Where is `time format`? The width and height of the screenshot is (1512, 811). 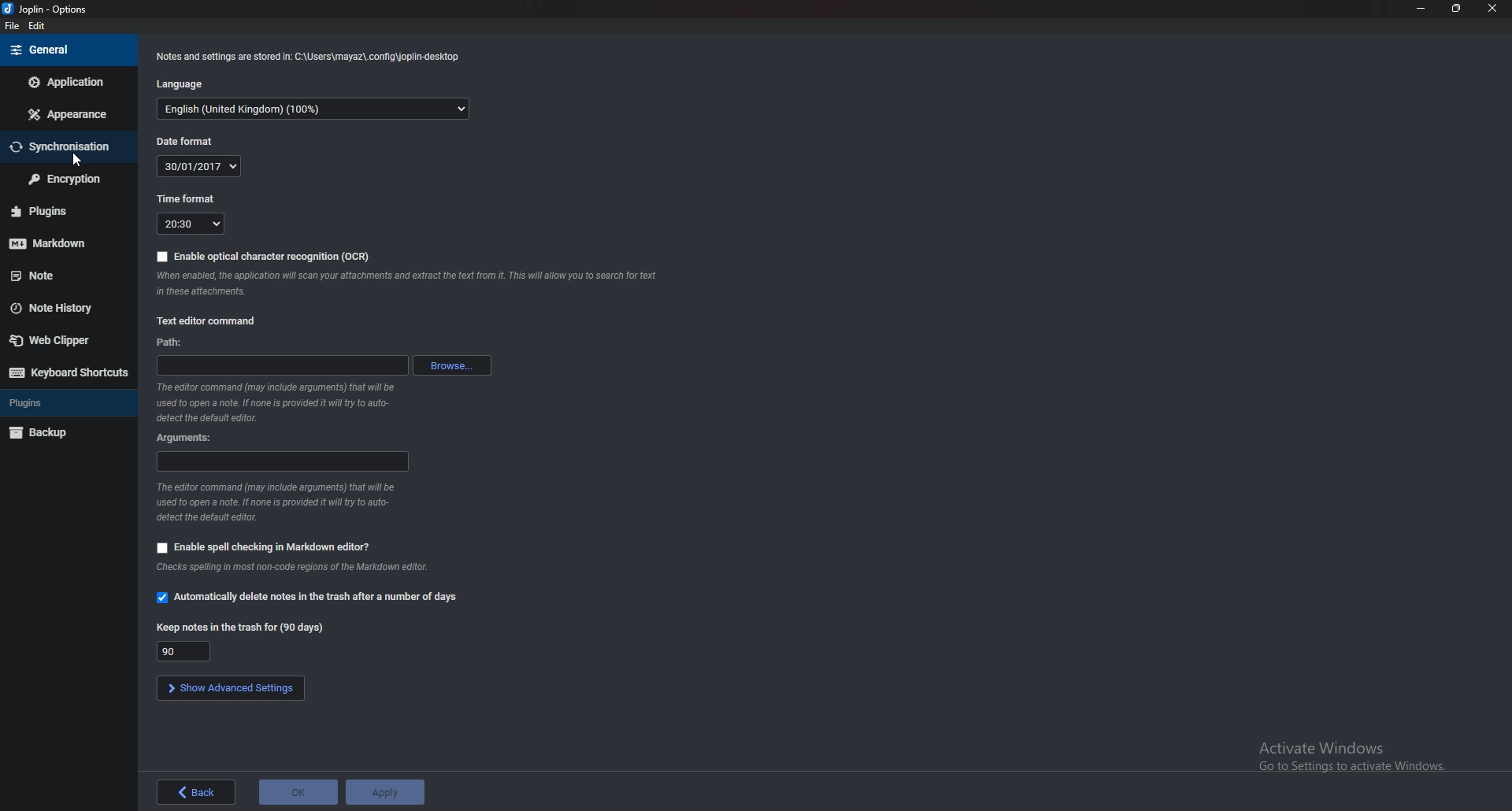
time format is located at coordinates (191, 224).